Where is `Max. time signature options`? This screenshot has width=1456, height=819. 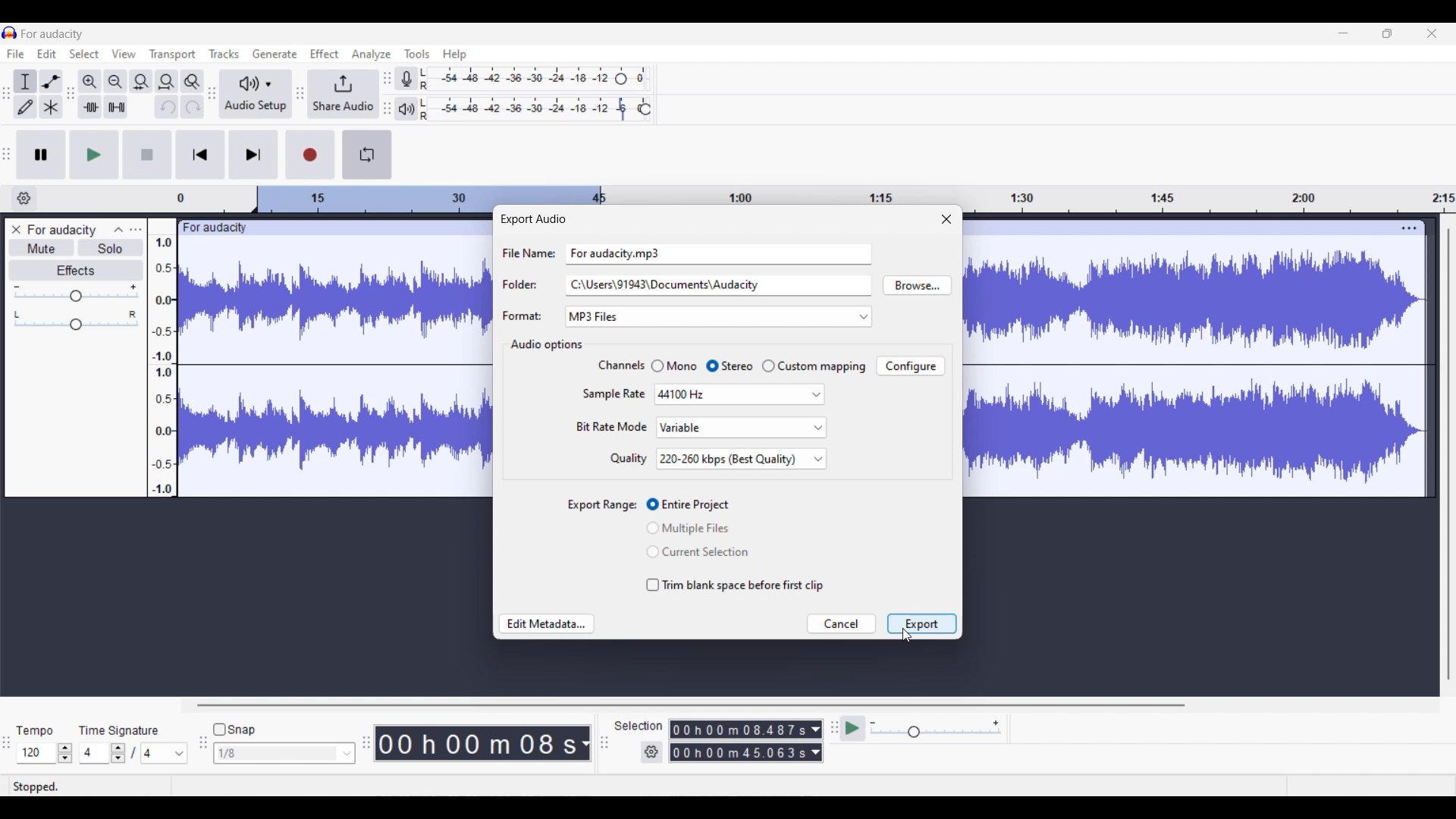 Max. time signature options is located at coordinates (165, 753).